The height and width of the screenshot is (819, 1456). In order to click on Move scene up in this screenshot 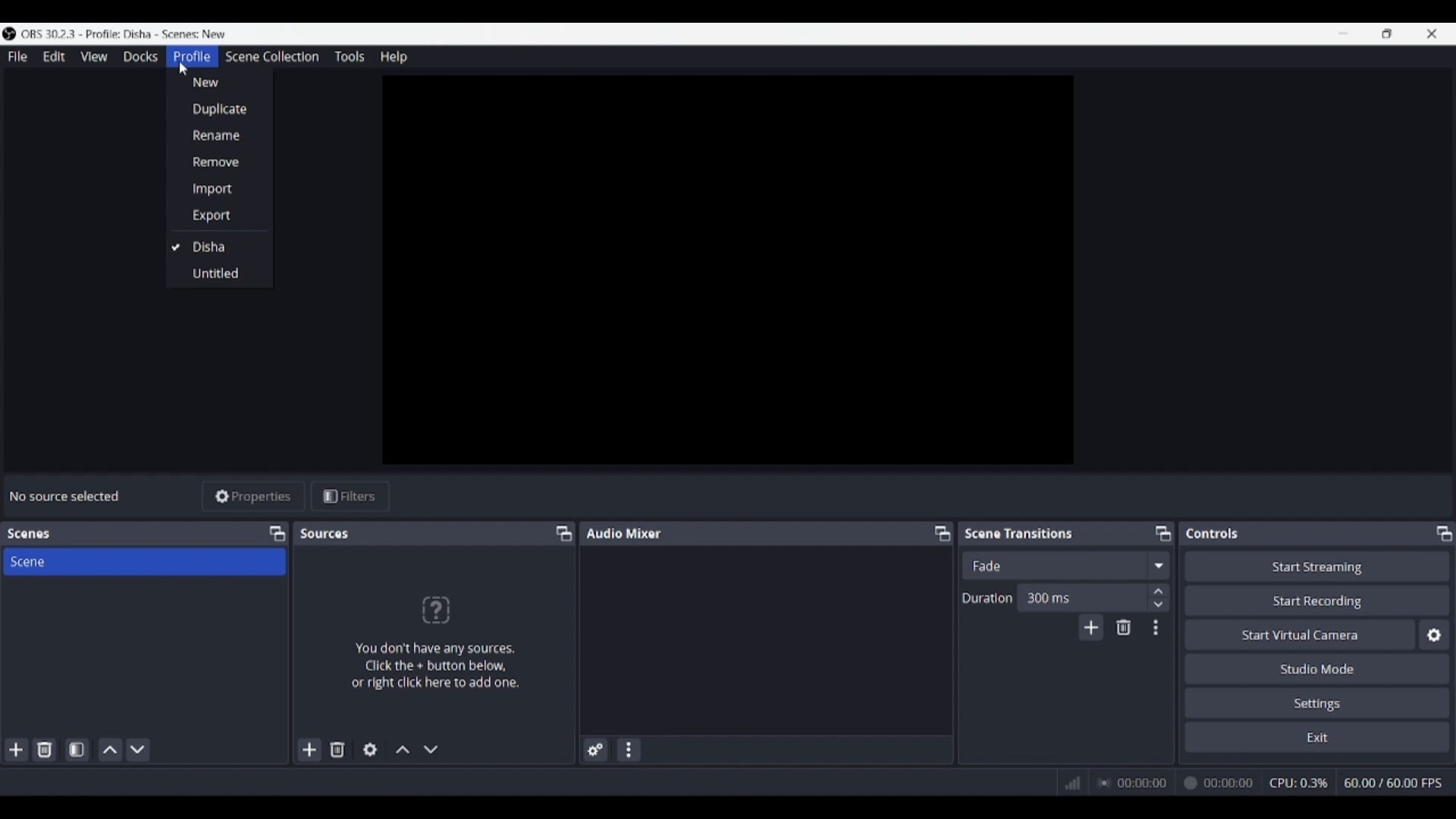, I will do `click(111, 750)`.